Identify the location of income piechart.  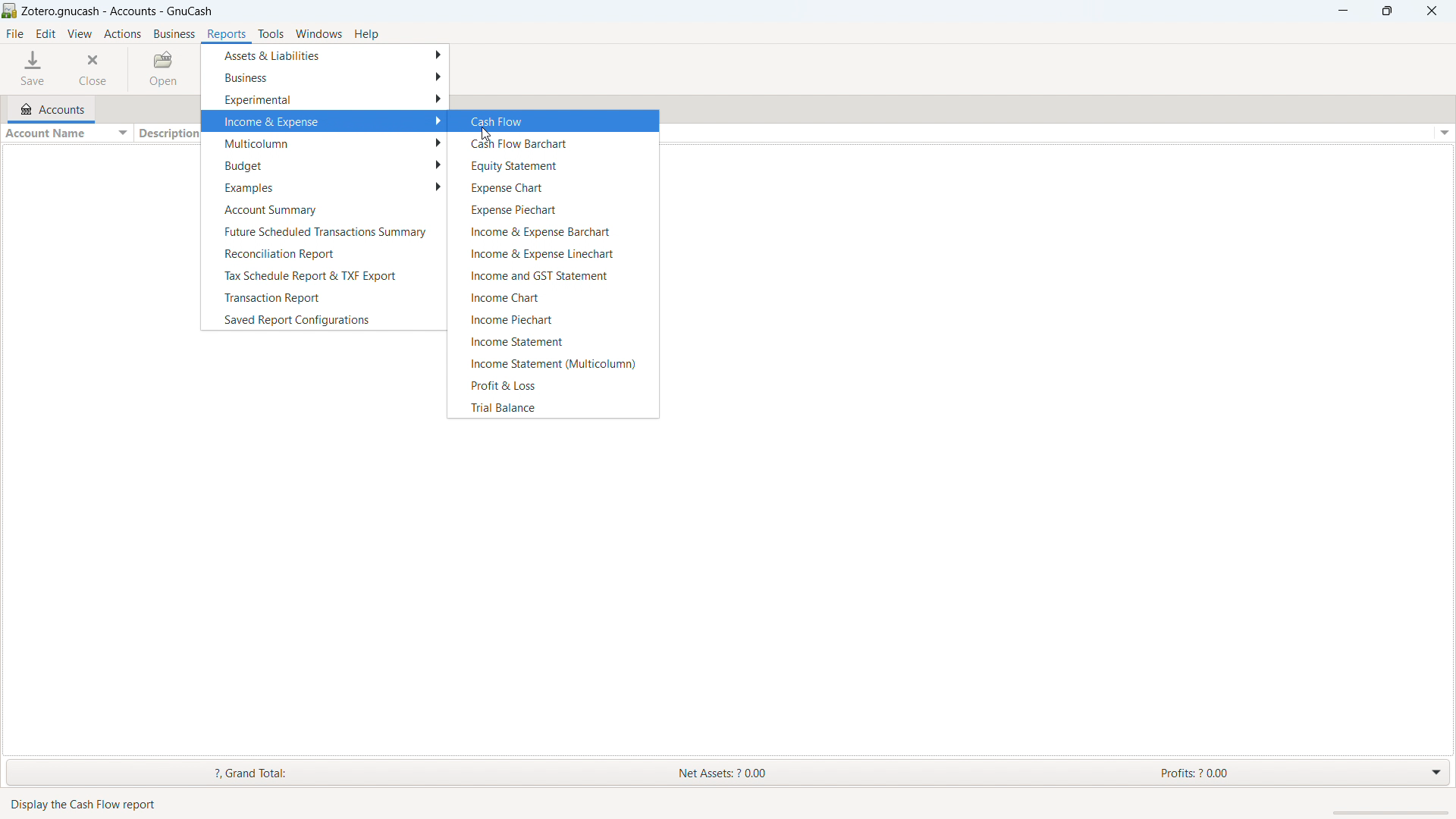
(552, 318).